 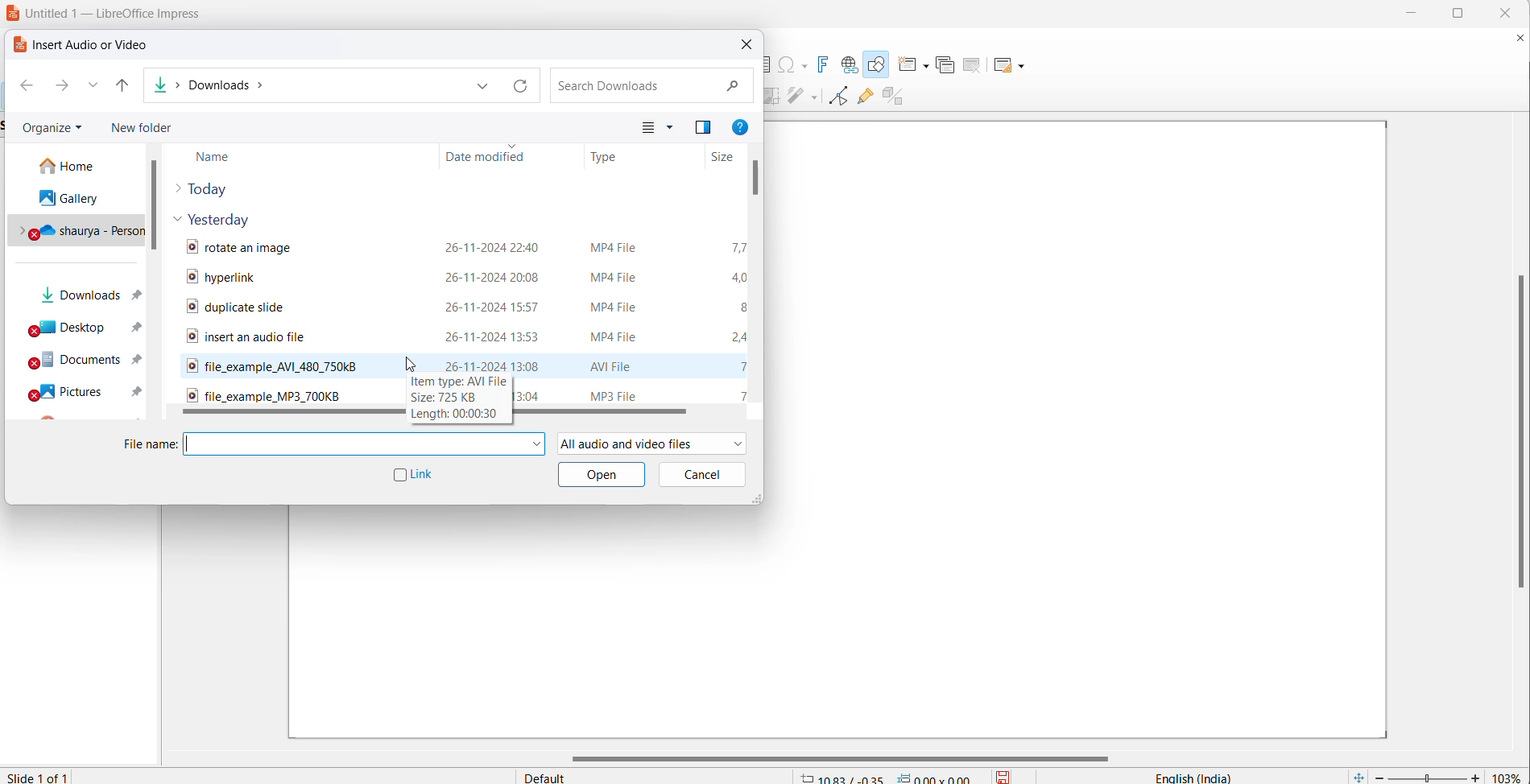 I want to click on organize, so click(x=47, y=129).